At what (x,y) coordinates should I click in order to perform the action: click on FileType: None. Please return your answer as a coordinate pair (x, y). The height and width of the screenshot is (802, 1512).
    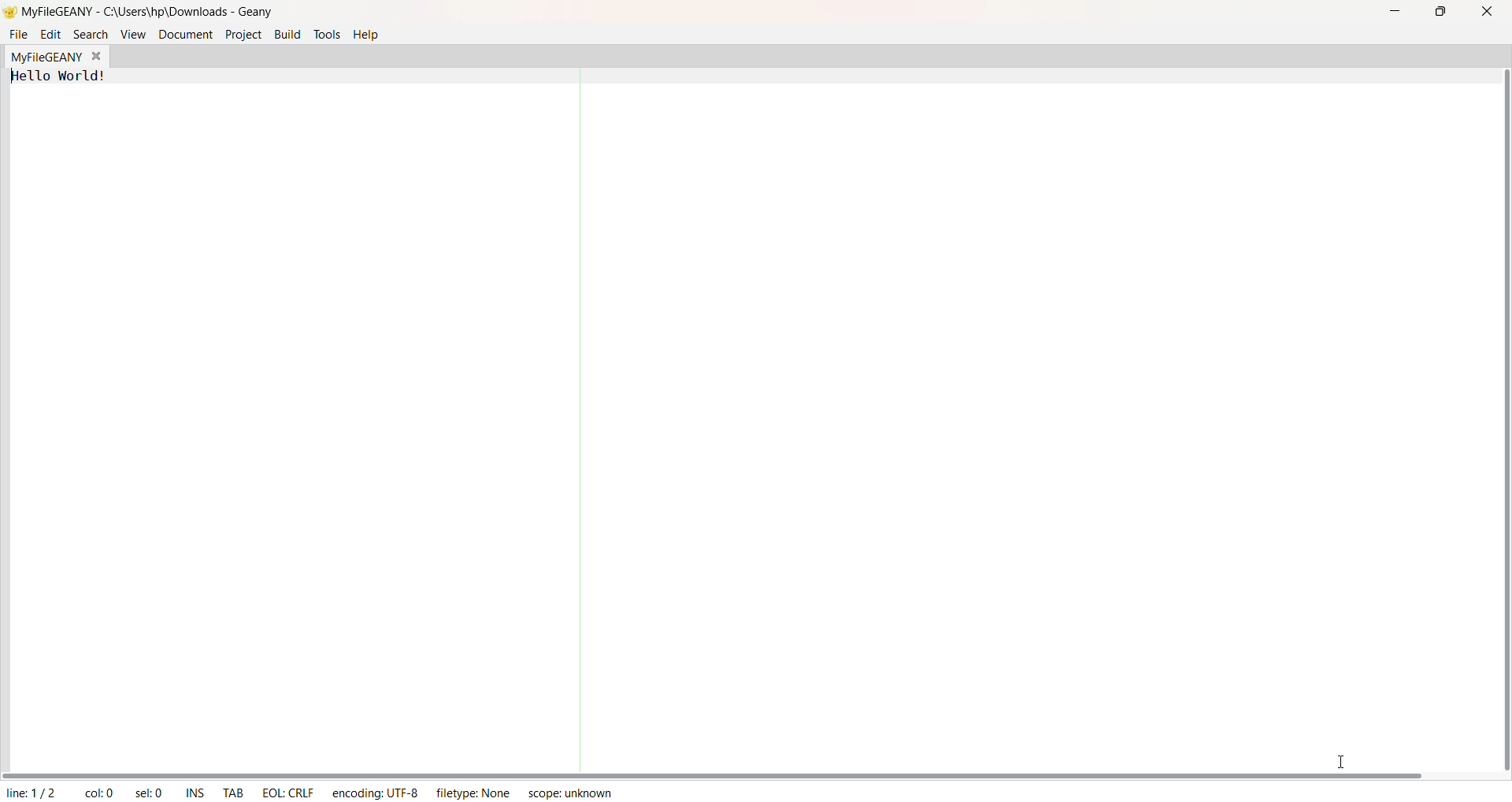
    Looking at the image, I should click on (473, 791).